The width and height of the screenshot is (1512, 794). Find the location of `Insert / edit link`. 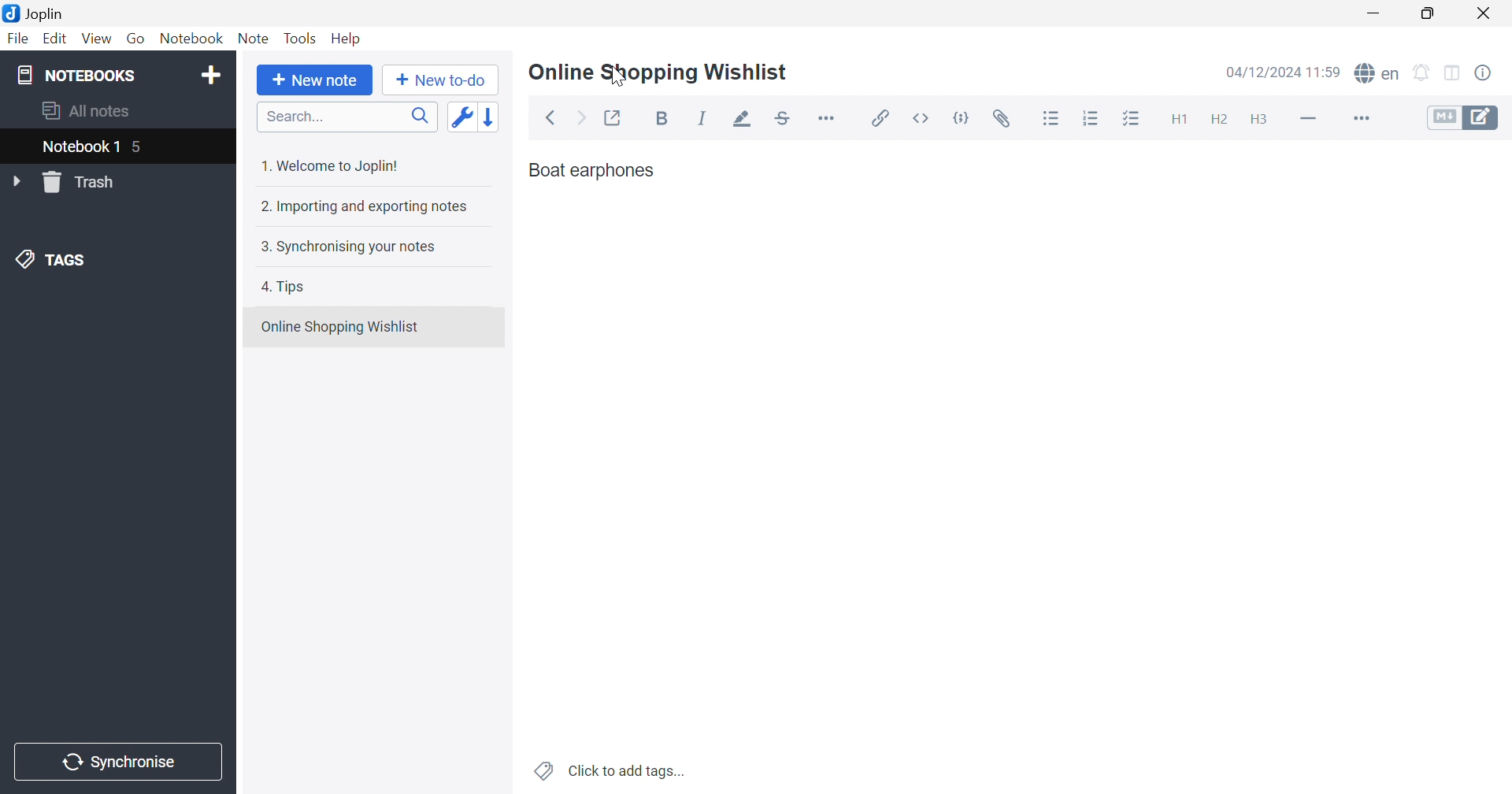

Insert / edit link is located at coordinates (881, 117).